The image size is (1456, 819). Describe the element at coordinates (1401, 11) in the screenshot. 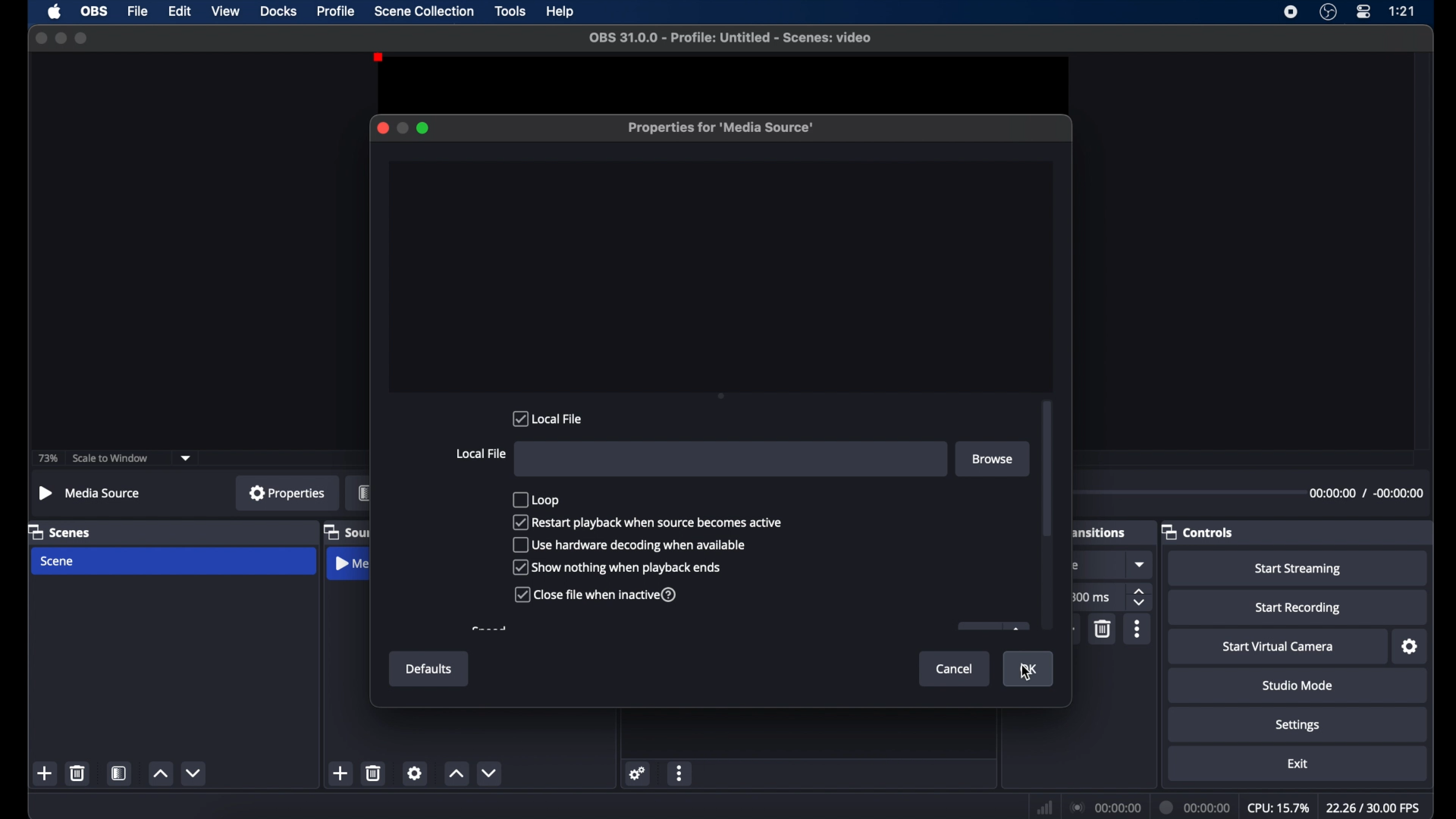

I see `time` at that location.